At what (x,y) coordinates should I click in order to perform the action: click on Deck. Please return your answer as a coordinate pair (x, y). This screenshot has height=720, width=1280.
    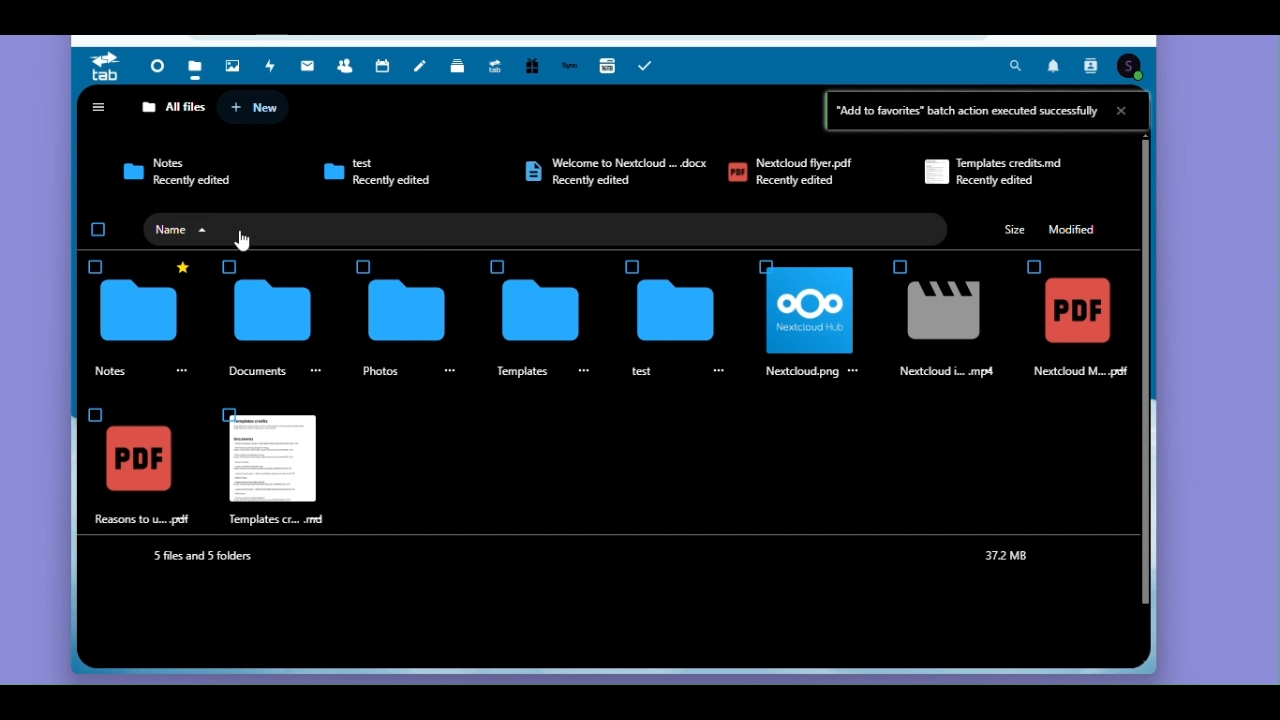
    Looking at the image, I should click on (456, 66).